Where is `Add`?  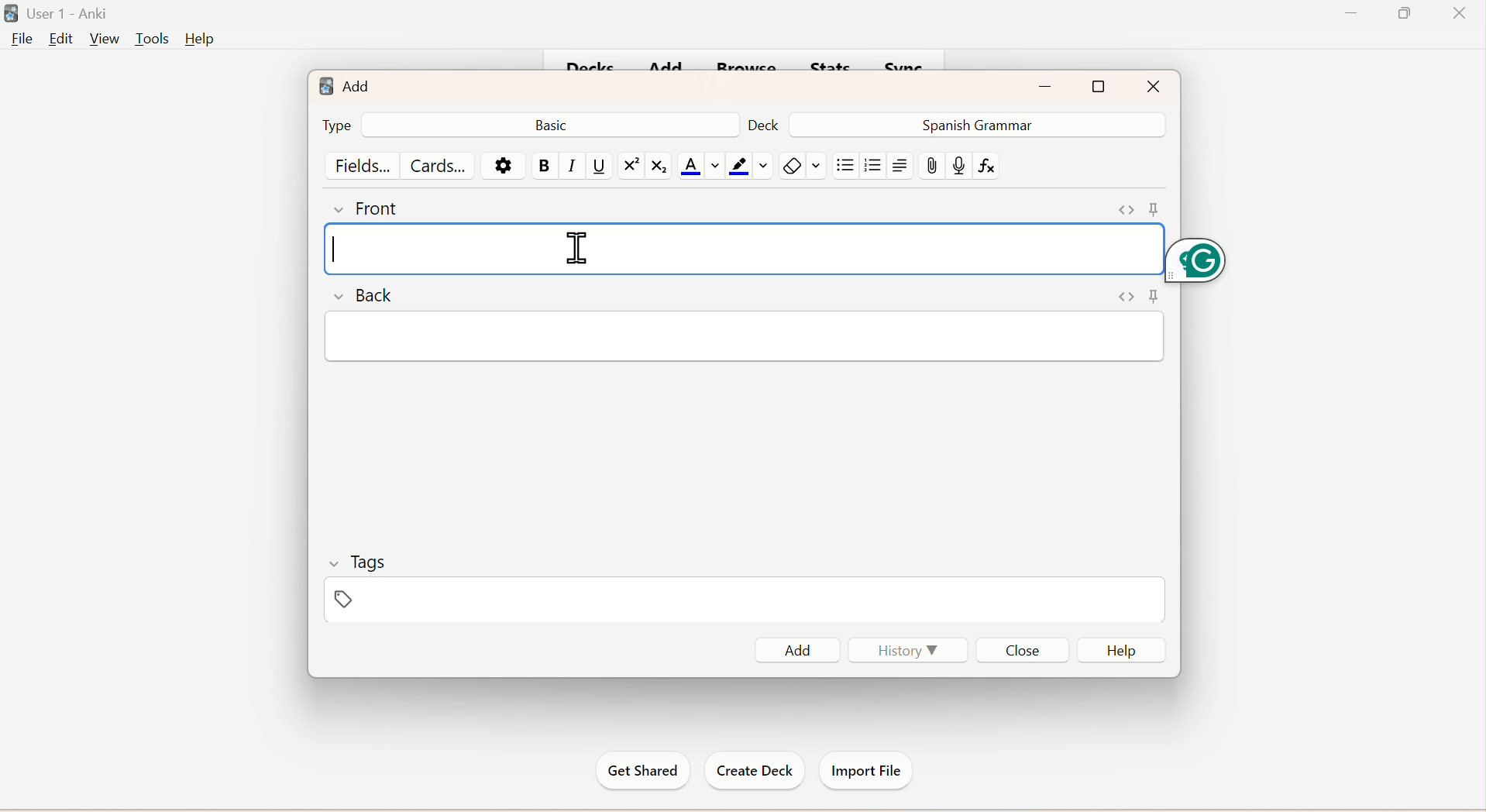
Add is located at coordinates (344, 82).